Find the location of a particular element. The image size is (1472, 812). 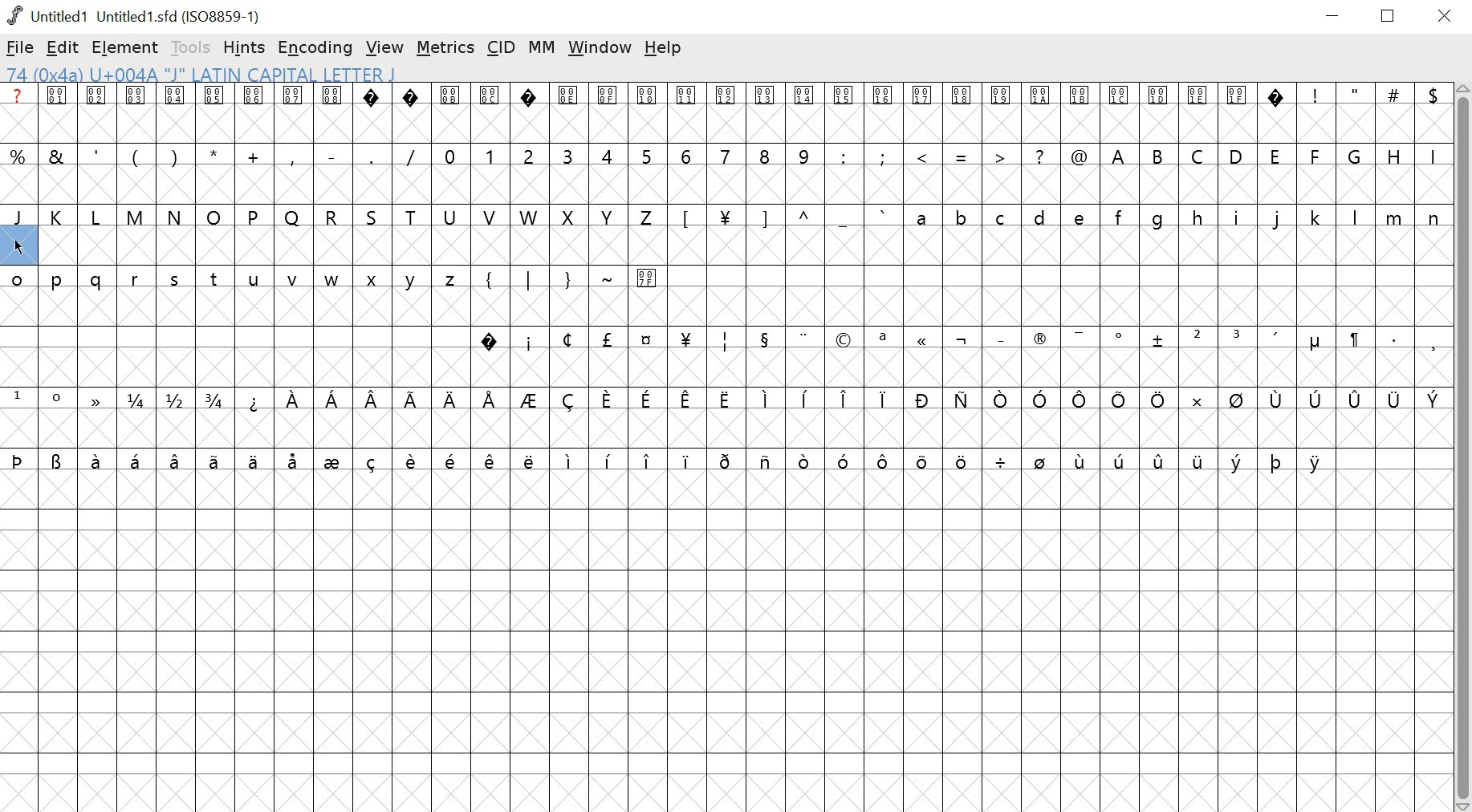

special characters is located at coordinates (1368, 95).